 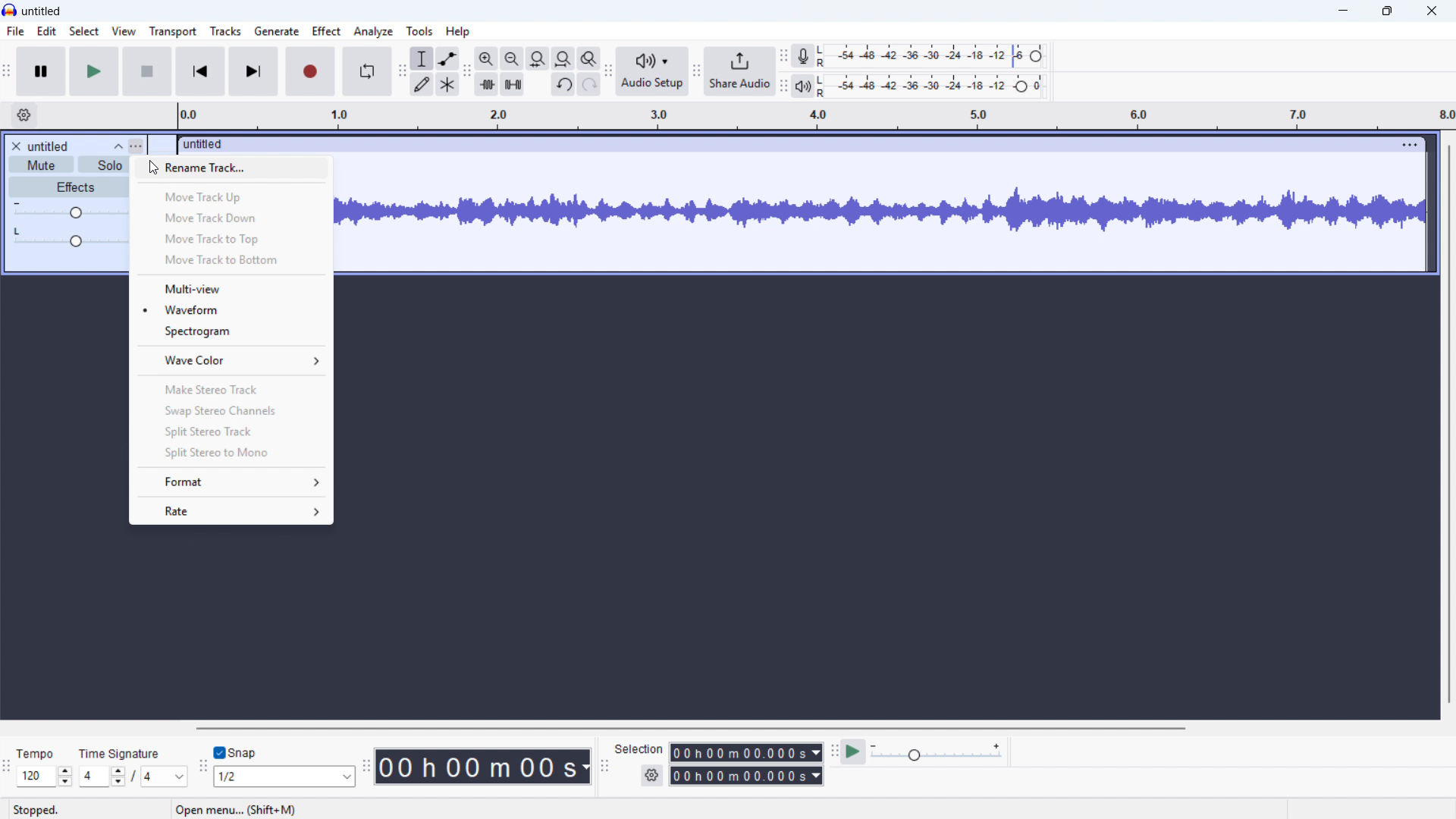 What do you see at coordinates (39, 754) in the screenshot?
I see `Tempo` at bounding box center [39, 754].